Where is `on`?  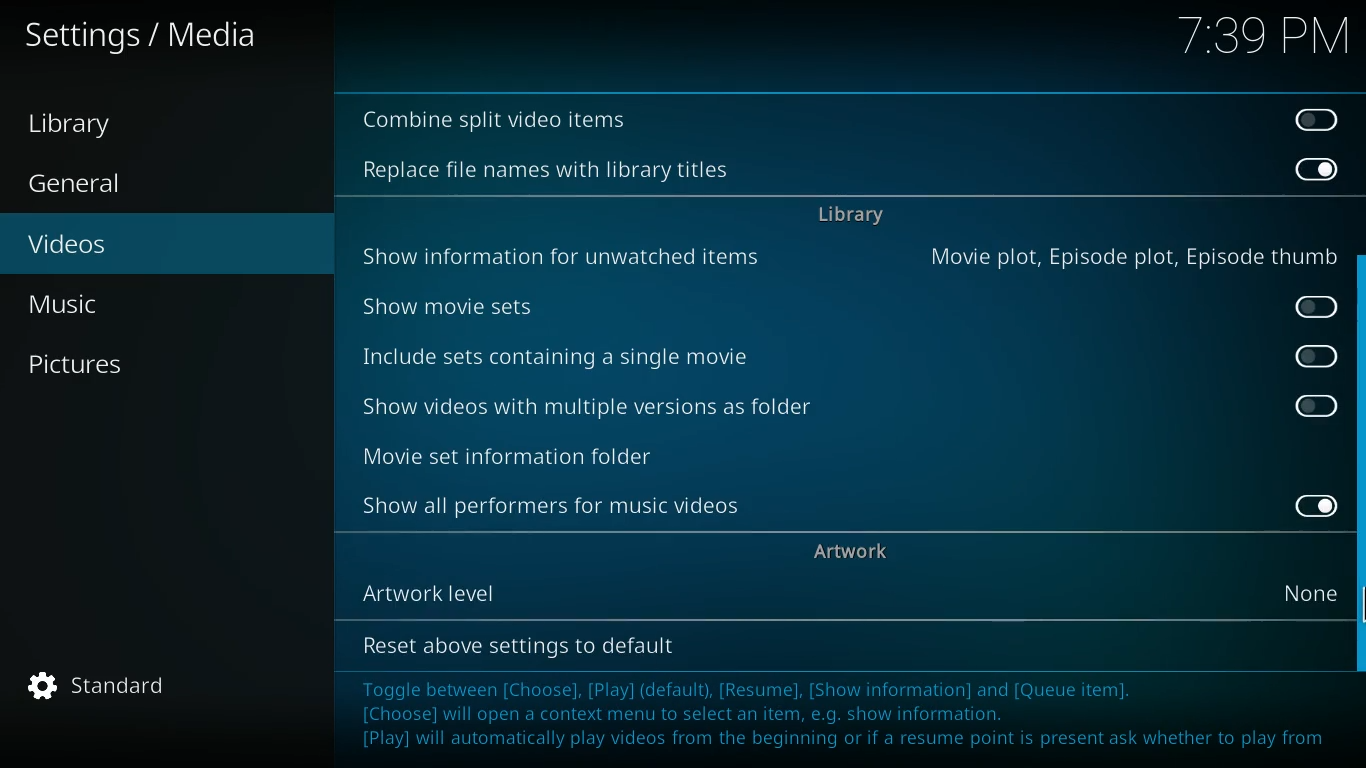
on is located at coordinates (1308, 505).